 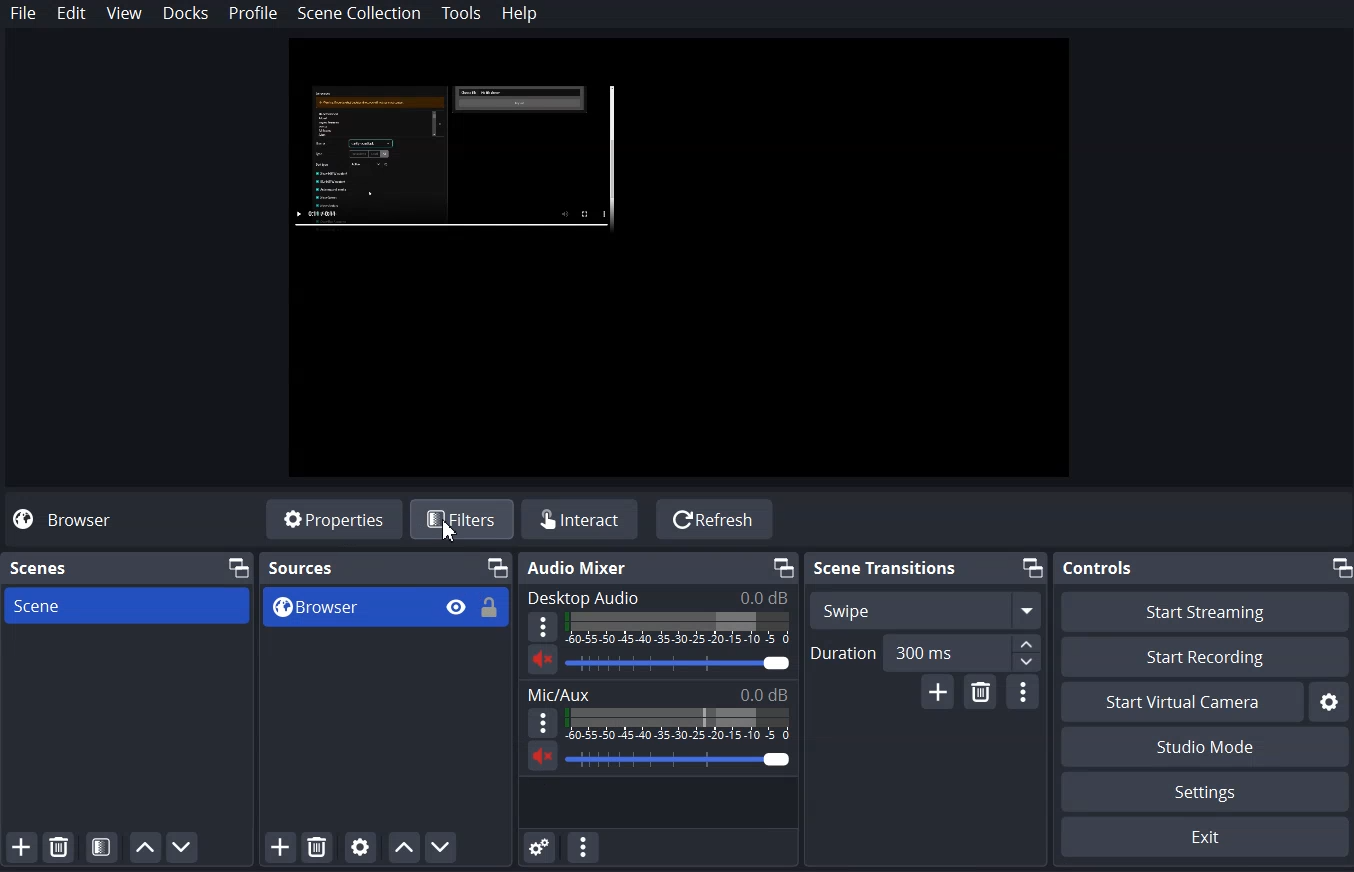 I want to click on Exit, so click(x=1207, y=837).